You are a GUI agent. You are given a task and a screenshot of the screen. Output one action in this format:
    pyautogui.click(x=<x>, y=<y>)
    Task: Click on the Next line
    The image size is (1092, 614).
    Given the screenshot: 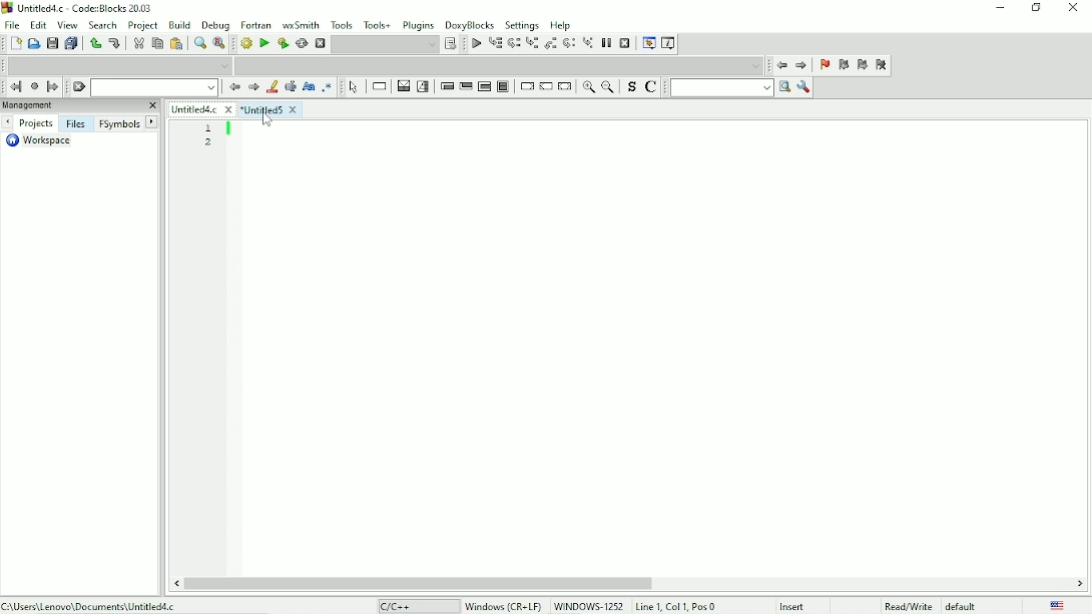 What is the action you would take?
    pyautogui.click(x=513, y=44)
    